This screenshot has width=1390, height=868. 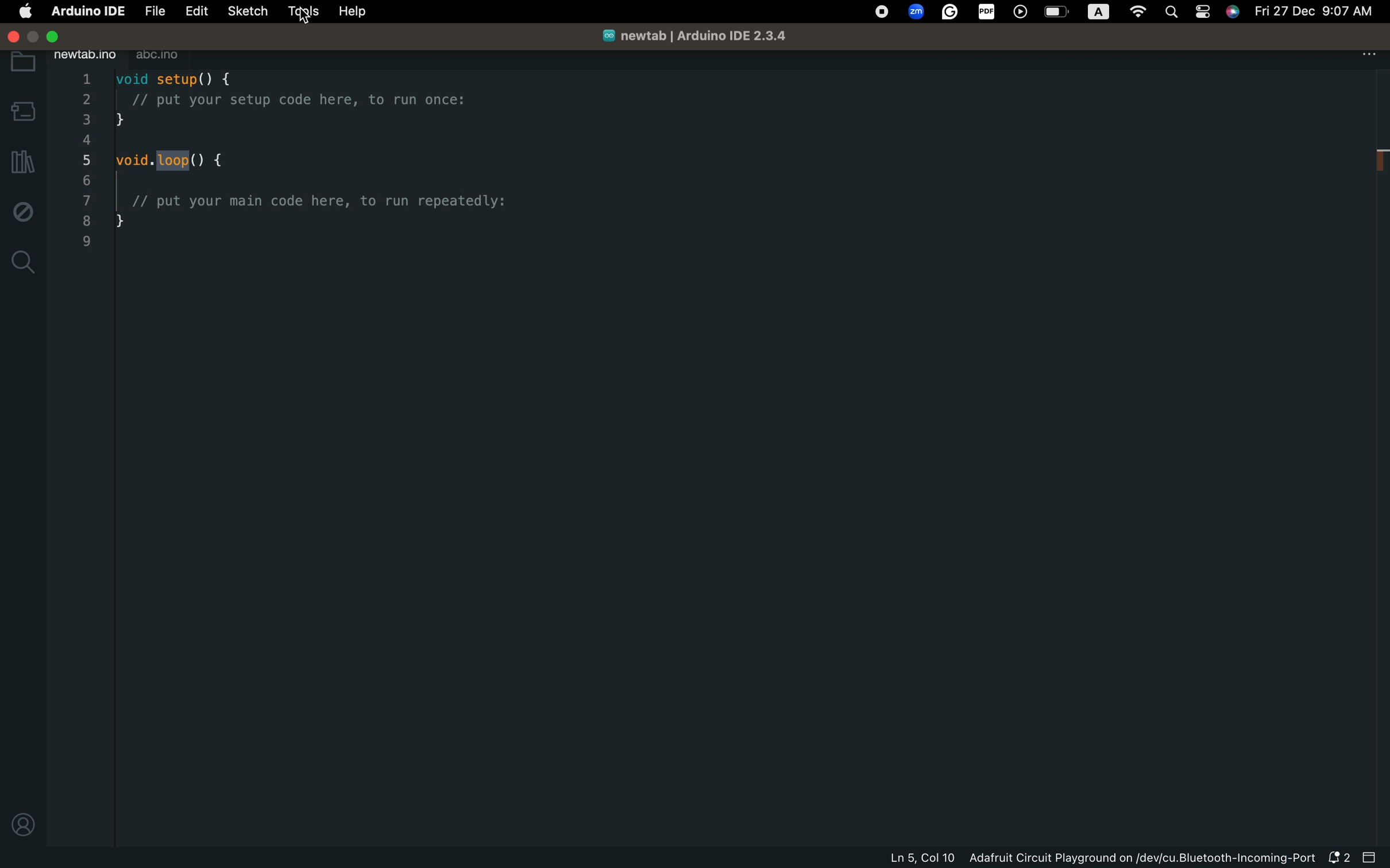 I want to click on maximize, so click(x=52, y=37).